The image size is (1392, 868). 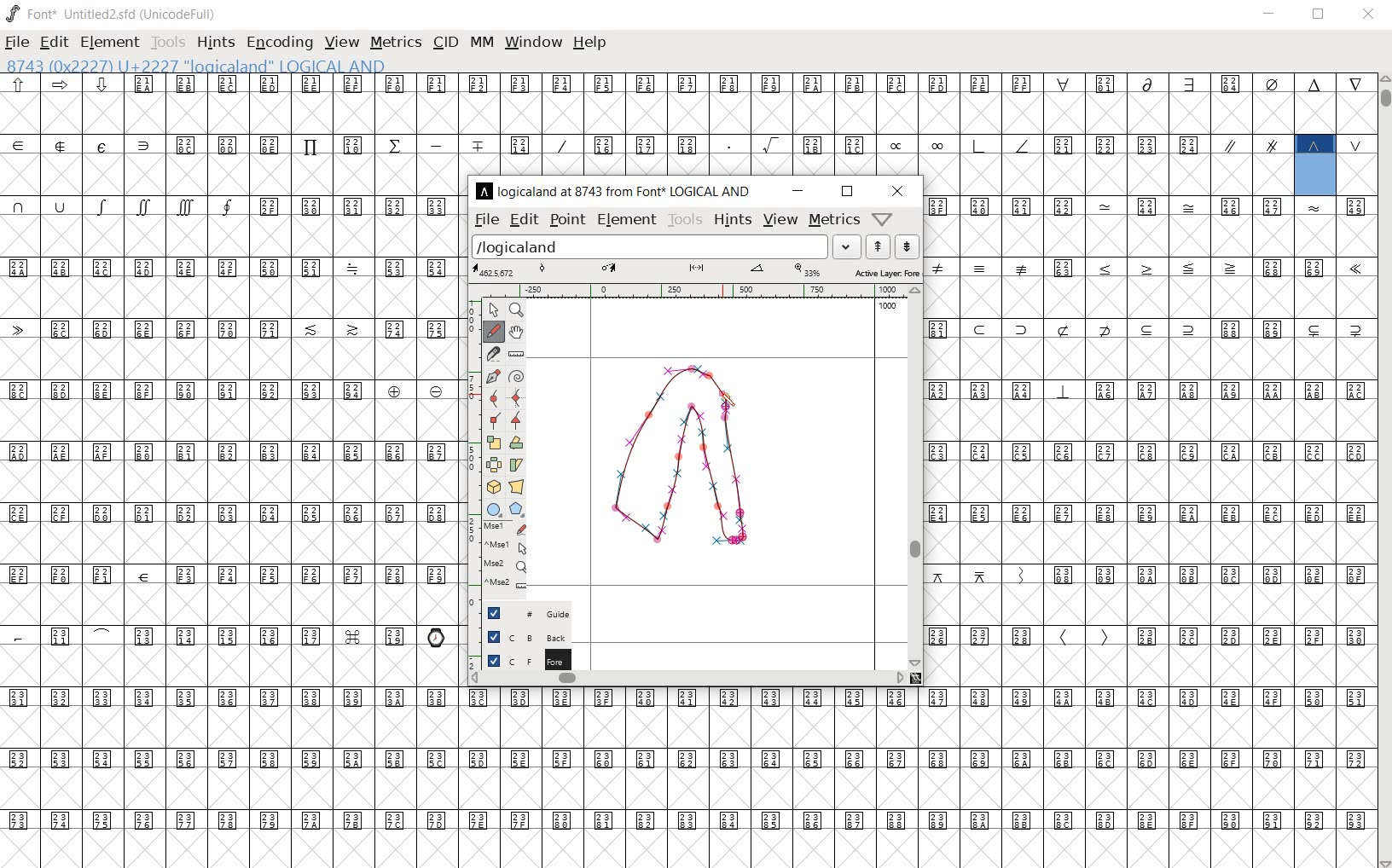 I want to click on foreground, so click(x=520, y=660).